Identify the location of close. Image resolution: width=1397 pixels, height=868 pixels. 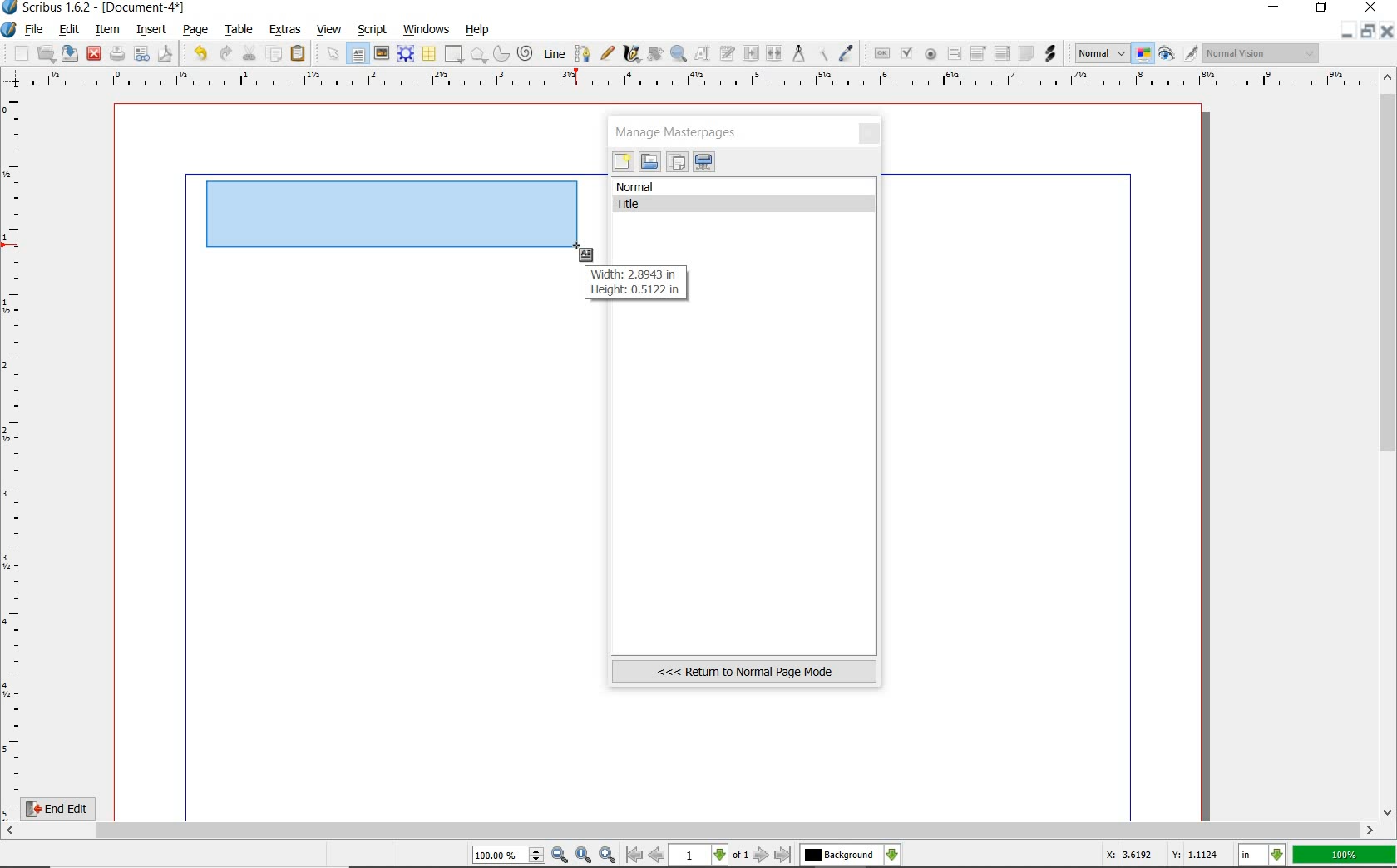
(871, 135).